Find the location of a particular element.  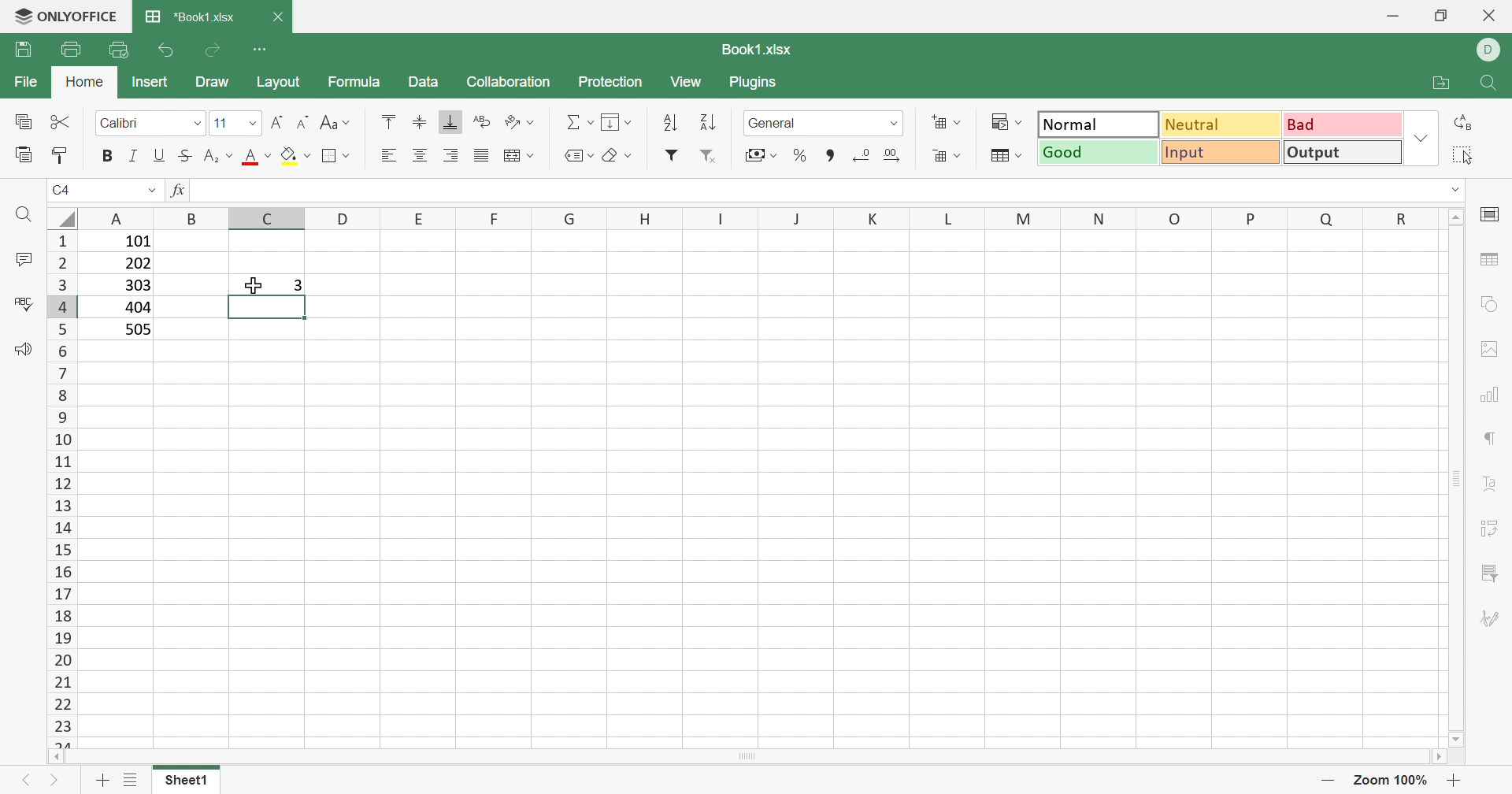

Zoom out is located at coordinates (1325, 780).